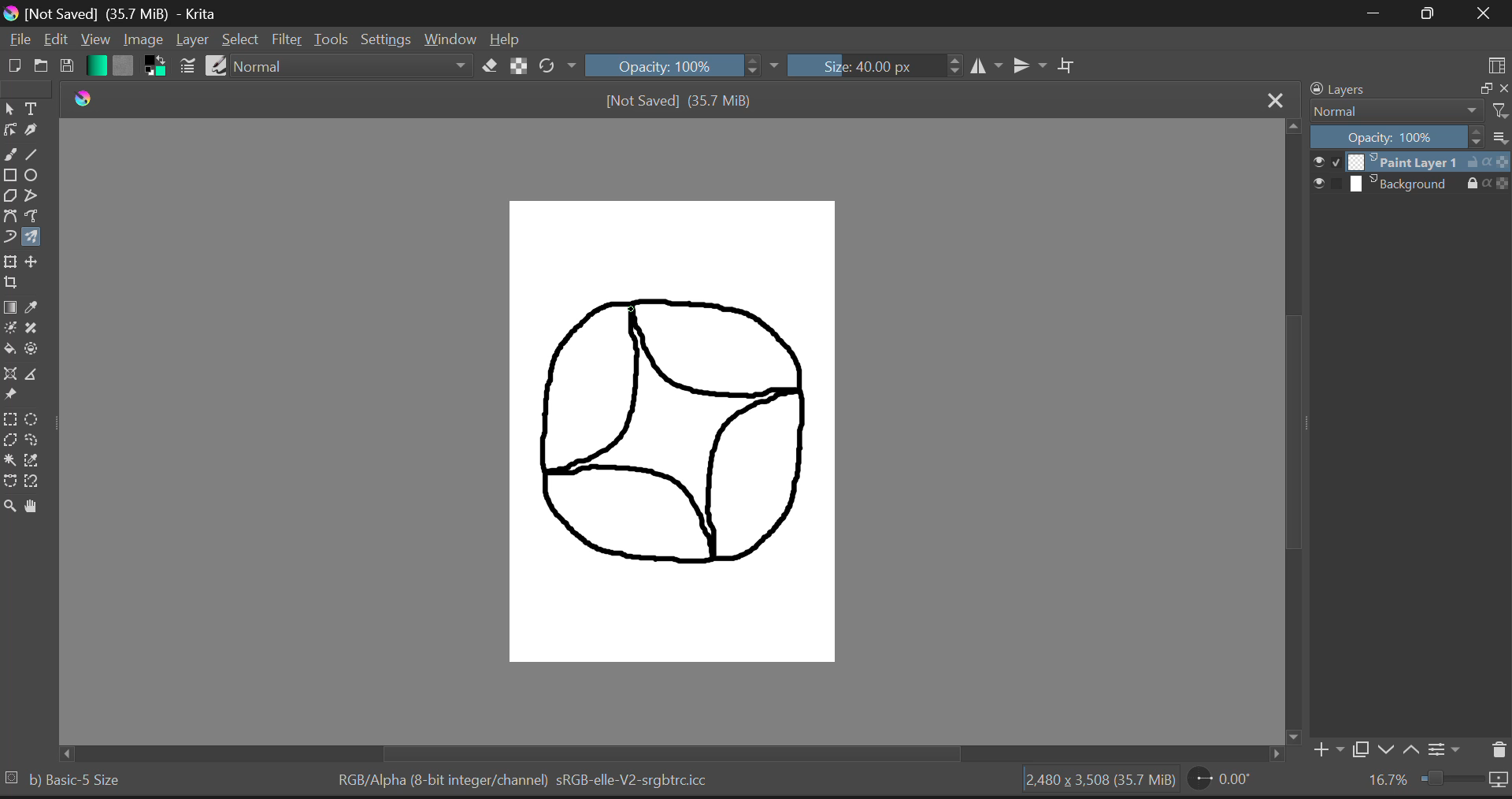  What do you see at coordinates (66, 67) in the screenshot?
I see `Save` at bounding box center [66, 67].